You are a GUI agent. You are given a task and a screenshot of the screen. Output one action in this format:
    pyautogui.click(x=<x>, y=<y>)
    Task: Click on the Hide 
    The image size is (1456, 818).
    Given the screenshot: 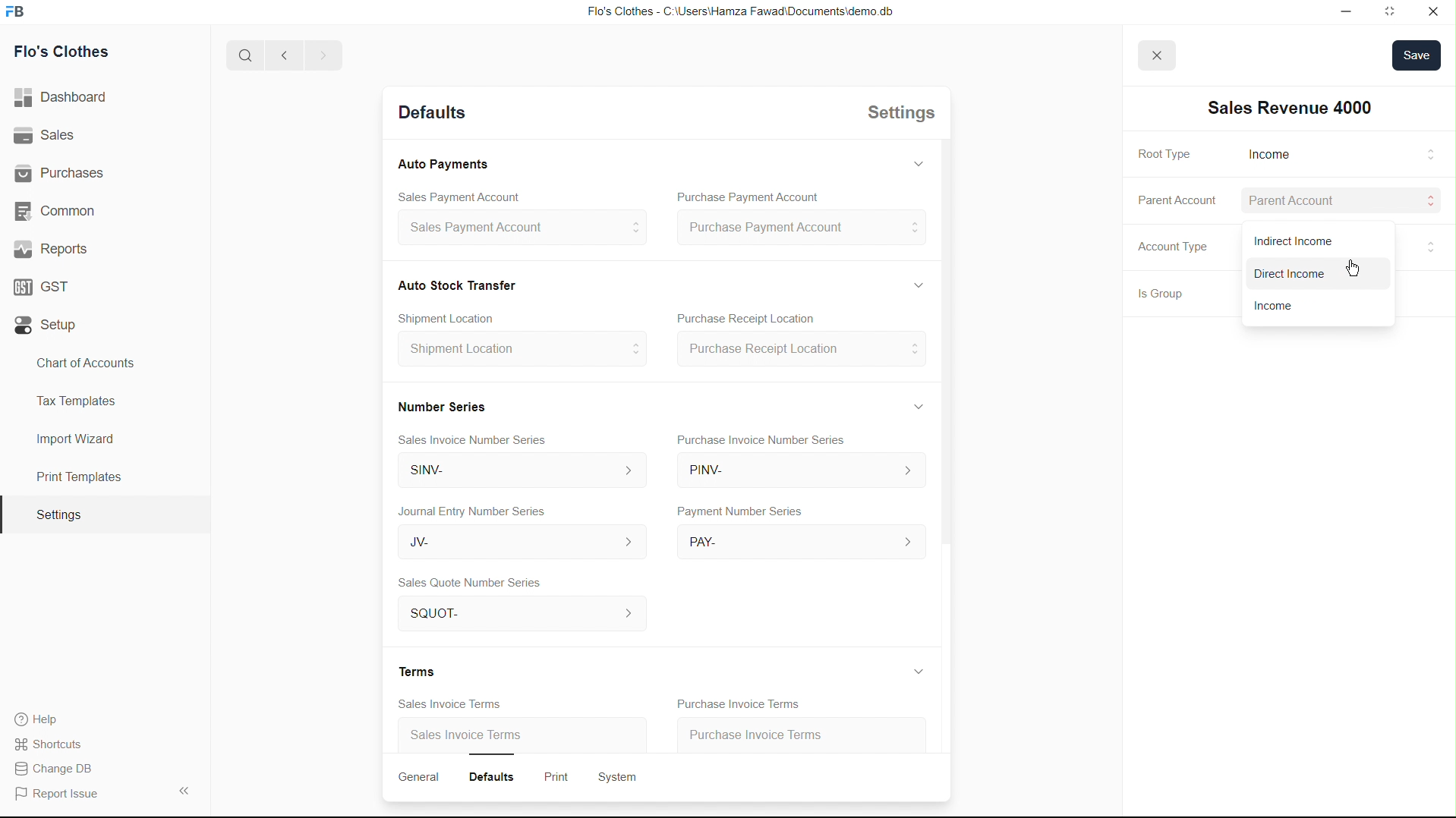 What is the action you would take?
    pyautogui.click(x=918, y=405)
    